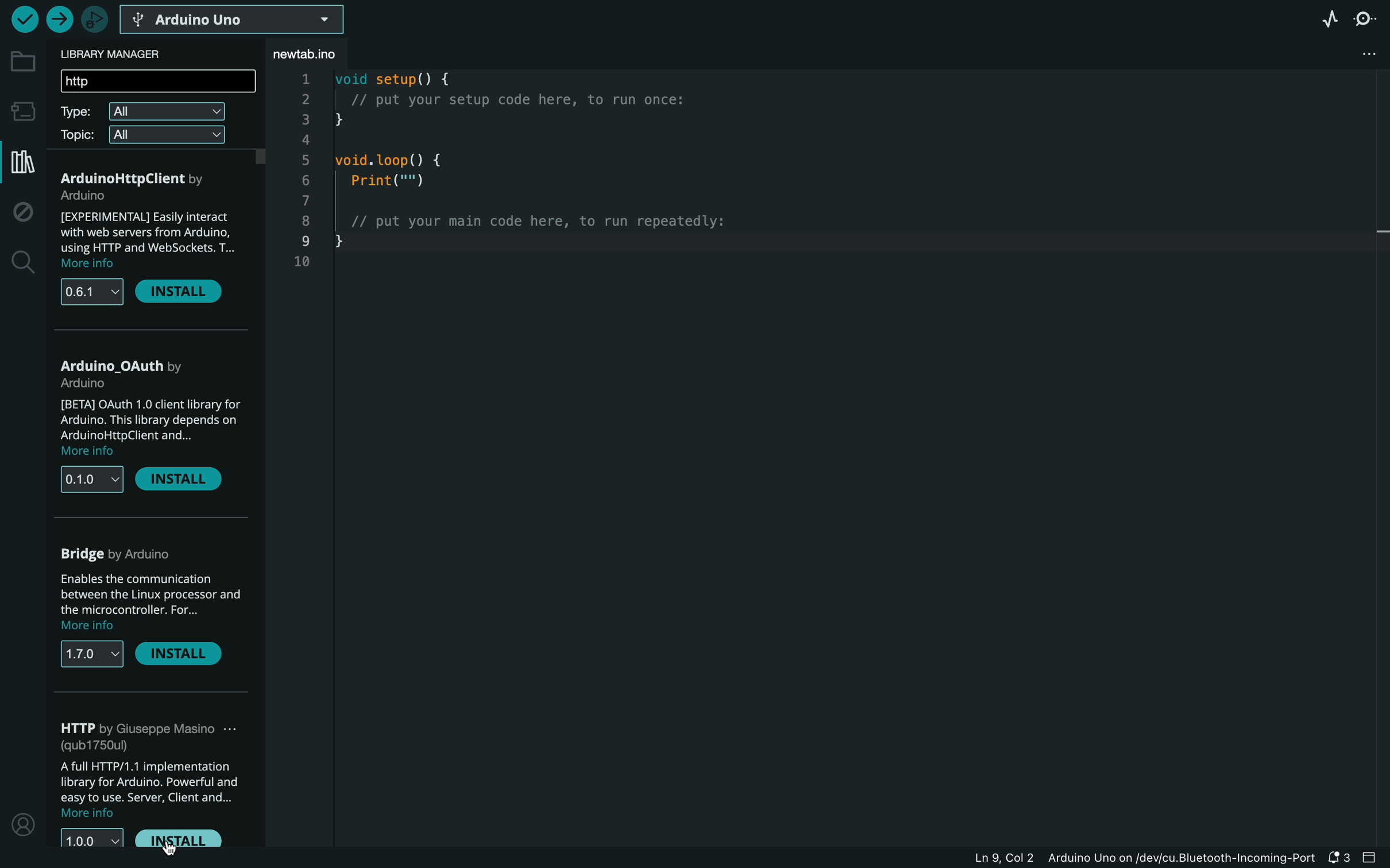  I want to click on notification, so click(1338, 858).